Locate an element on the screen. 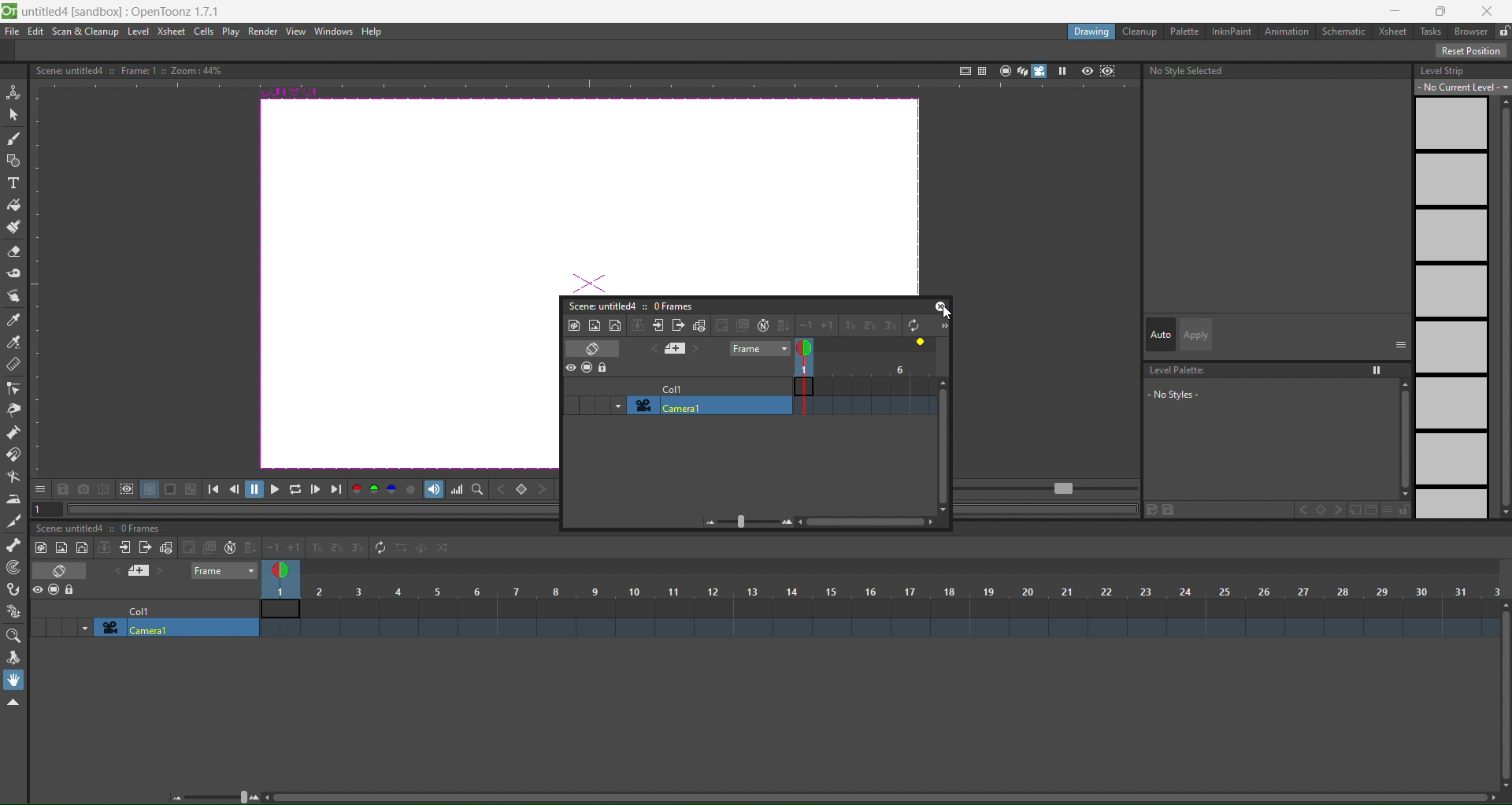  soundtrack is located at coordinates (435, 489).